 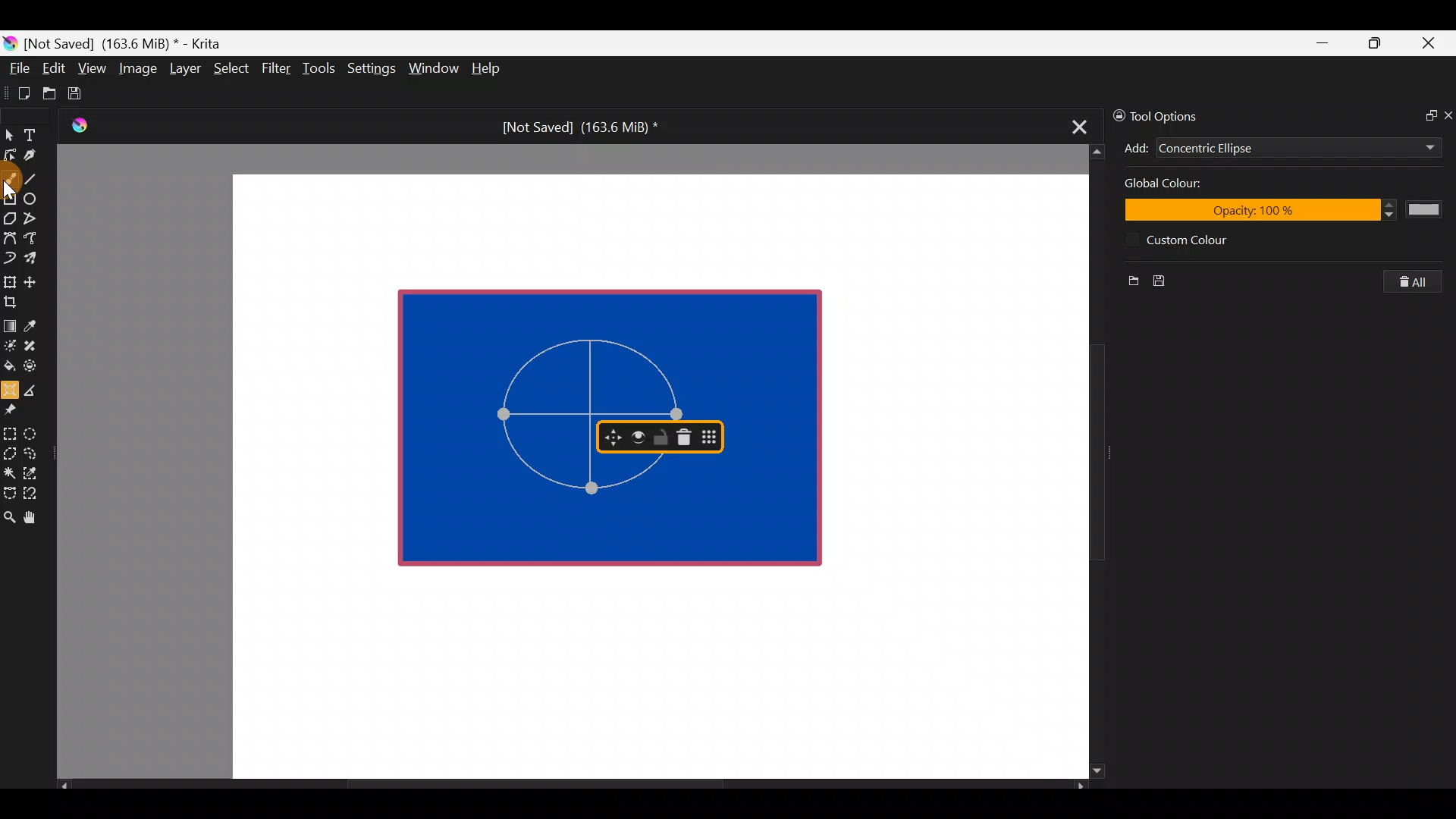 I want to click on Polygonal section tool, so click(x=9, y=450).